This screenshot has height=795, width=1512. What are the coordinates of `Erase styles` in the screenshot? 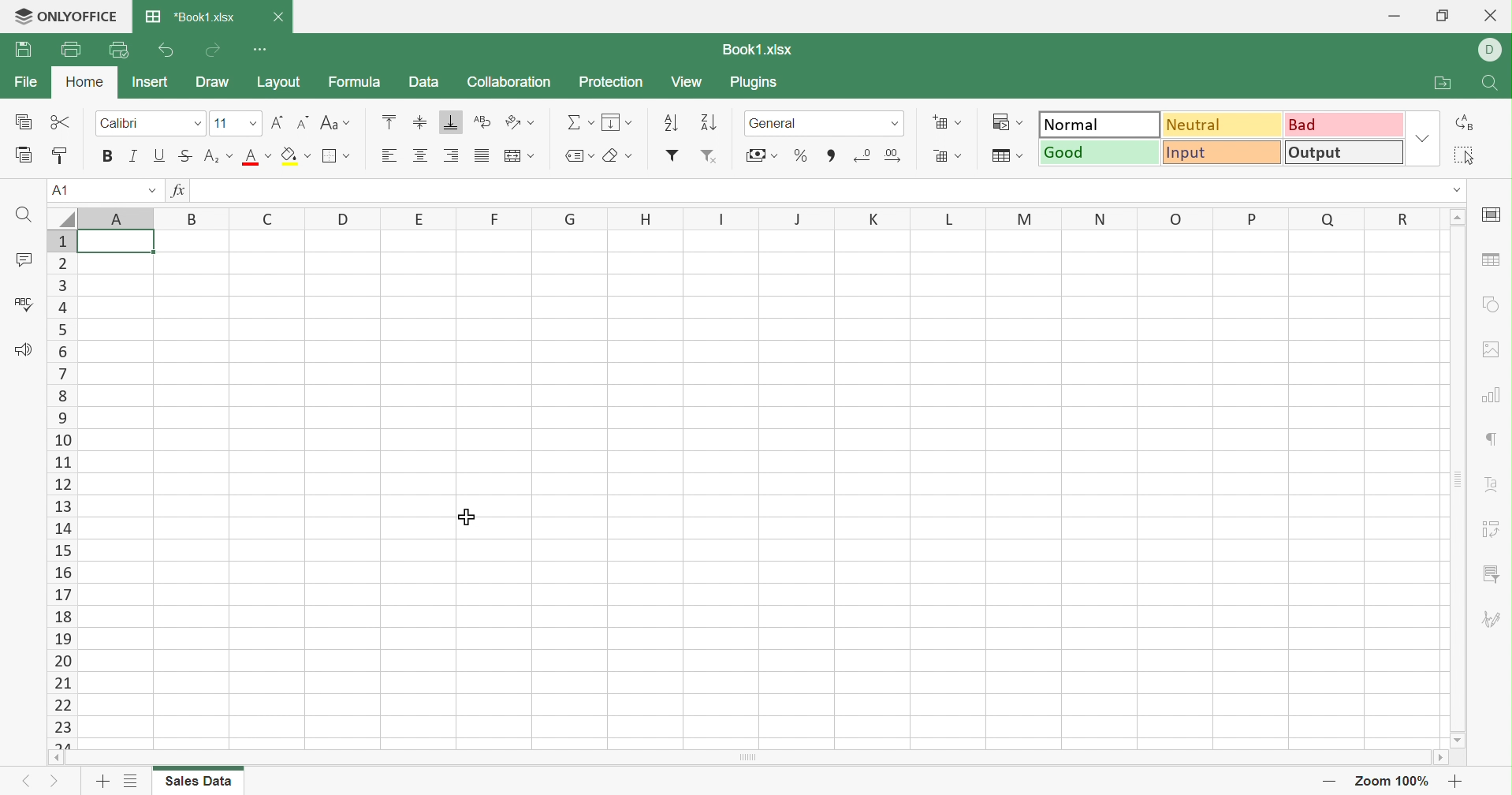 It's located at (626, 156).